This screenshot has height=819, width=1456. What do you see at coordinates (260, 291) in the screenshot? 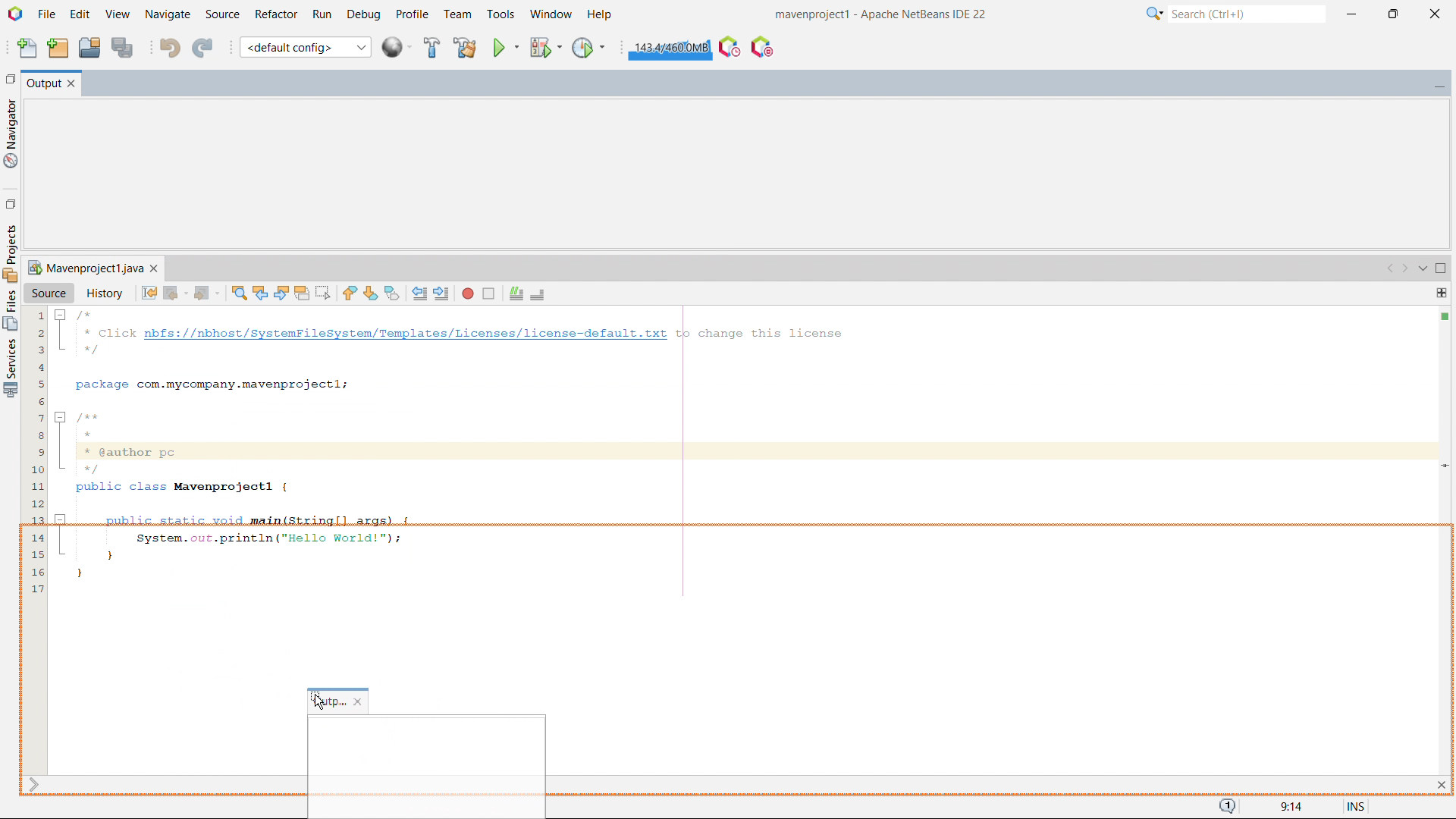
I see `find previous occurance` at bounding box center [260, 291].